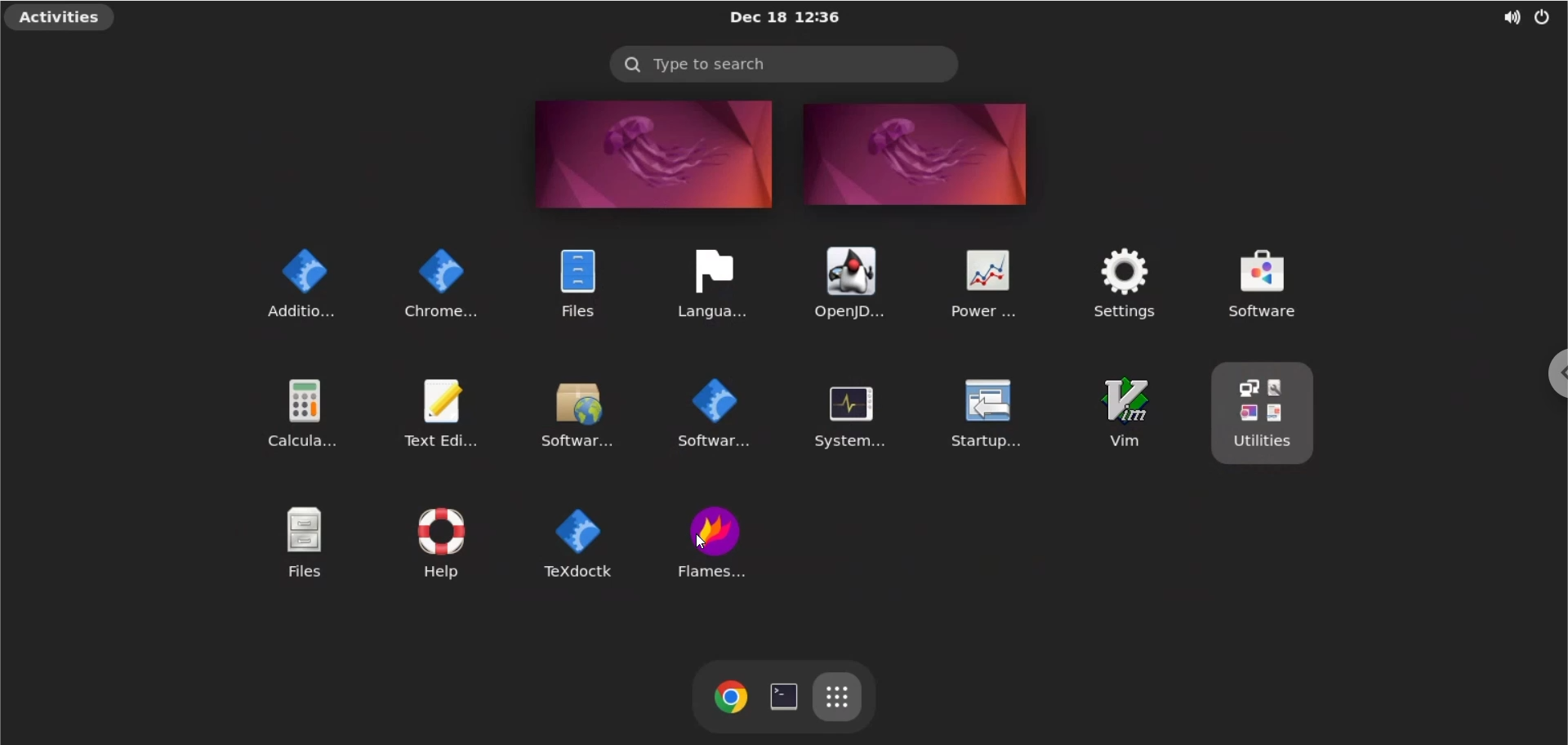  Describe the element at coordinates (1499, 15) in the screenshot. I see `sound settings menu` at that location.